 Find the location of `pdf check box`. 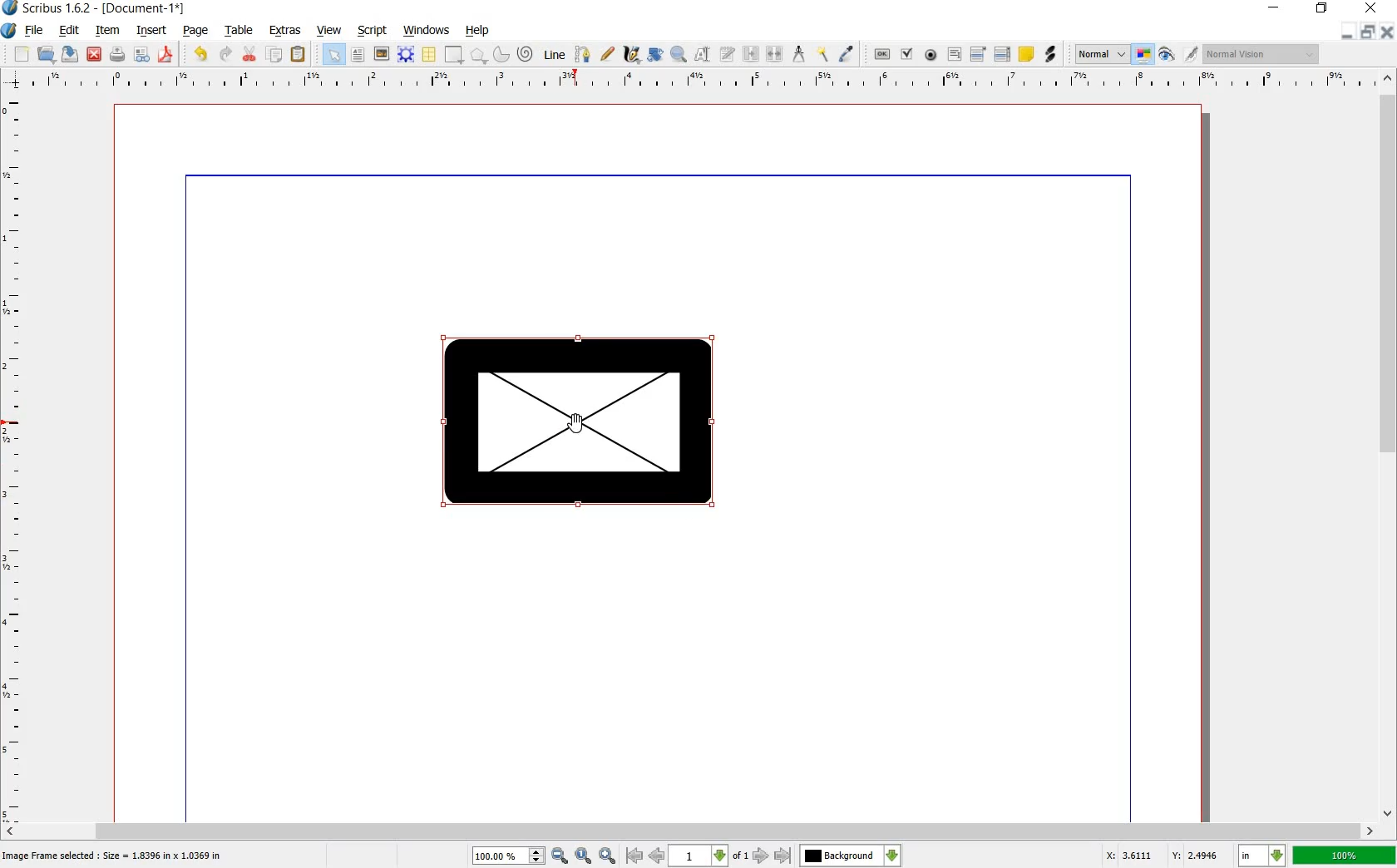

pdf check box is located at coordinates (907, 55).